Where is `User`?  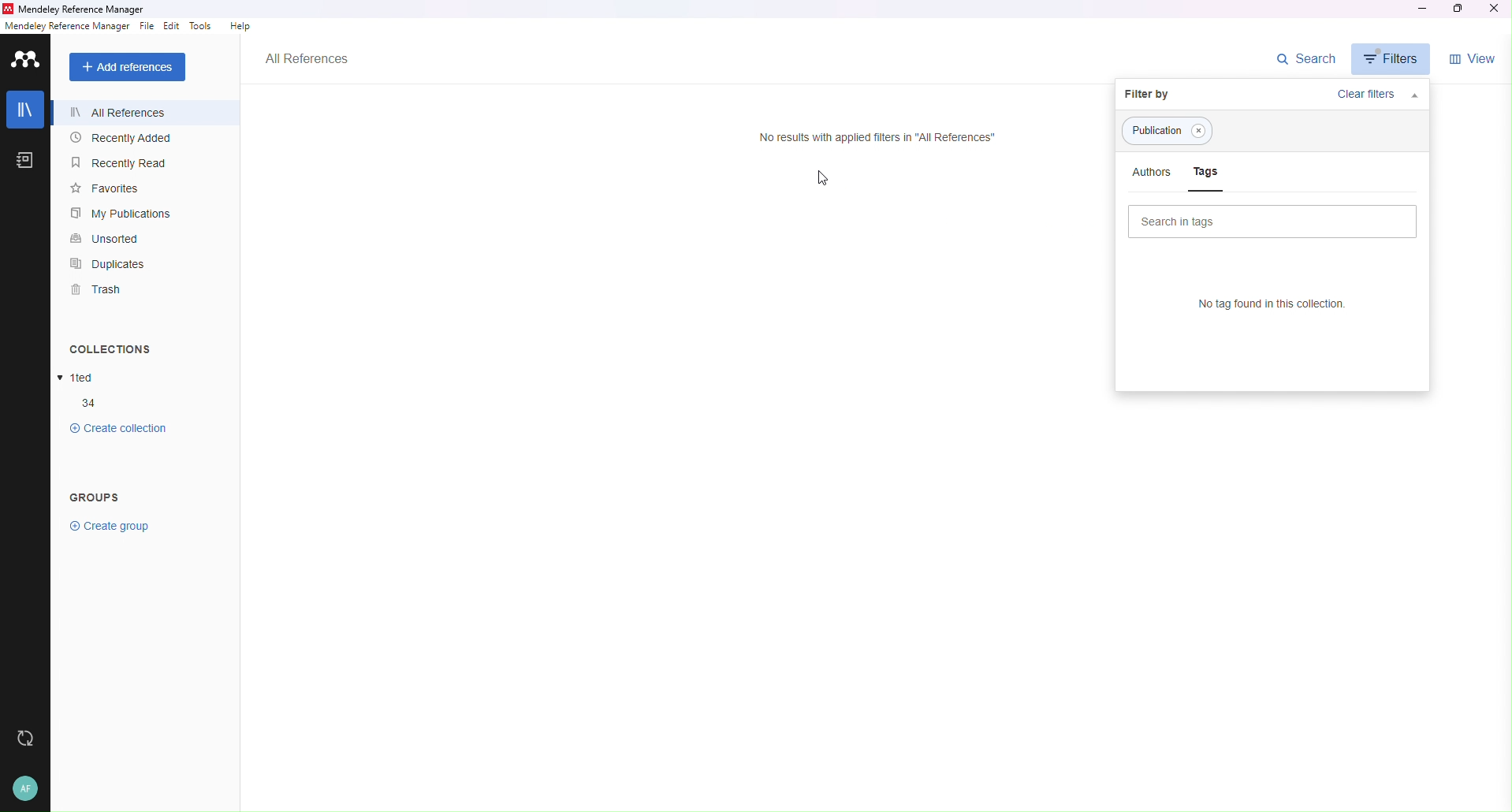 User is located at coordinates (27, 790).